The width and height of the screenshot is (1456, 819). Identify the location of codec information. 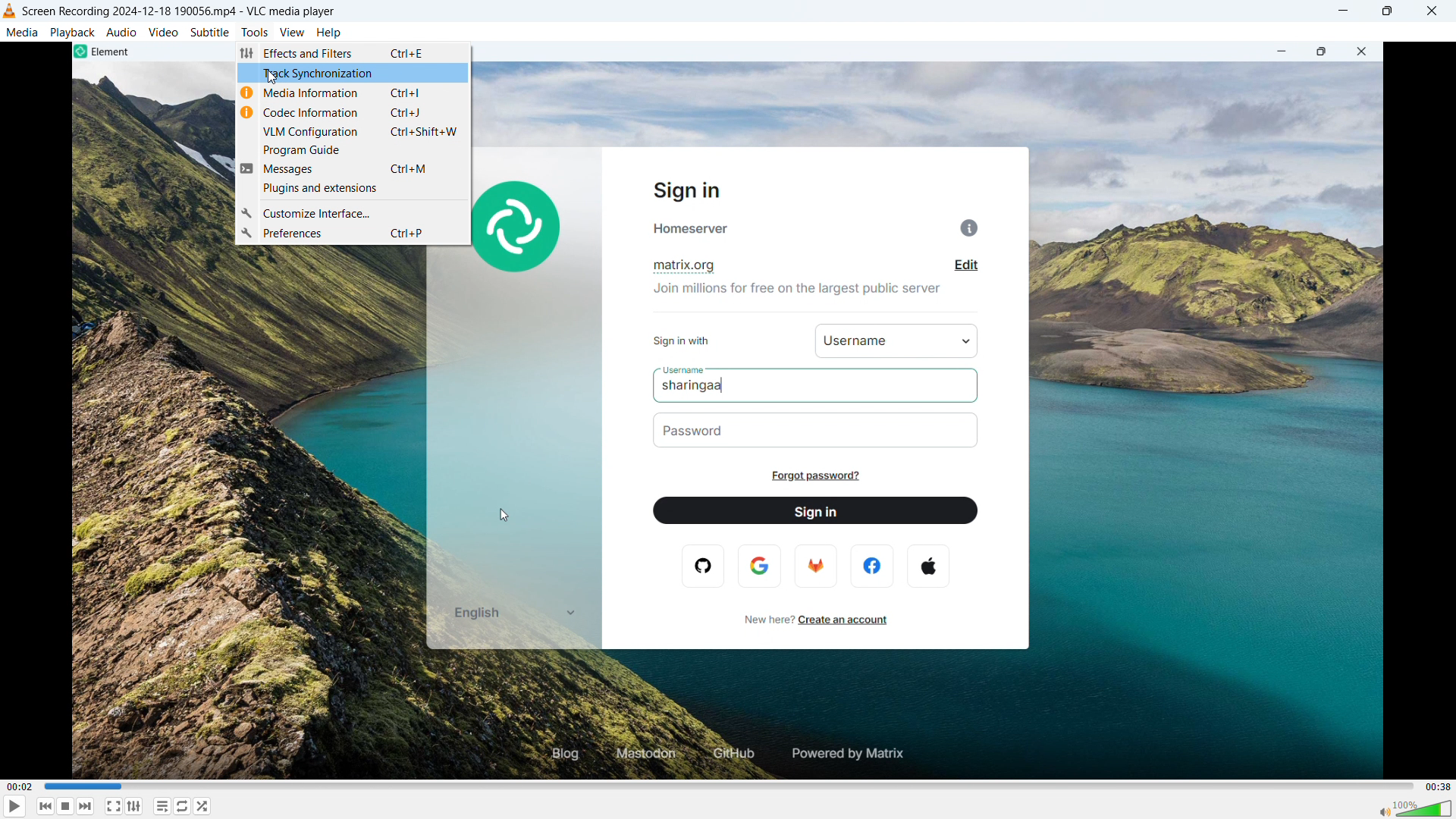
(353, 112).